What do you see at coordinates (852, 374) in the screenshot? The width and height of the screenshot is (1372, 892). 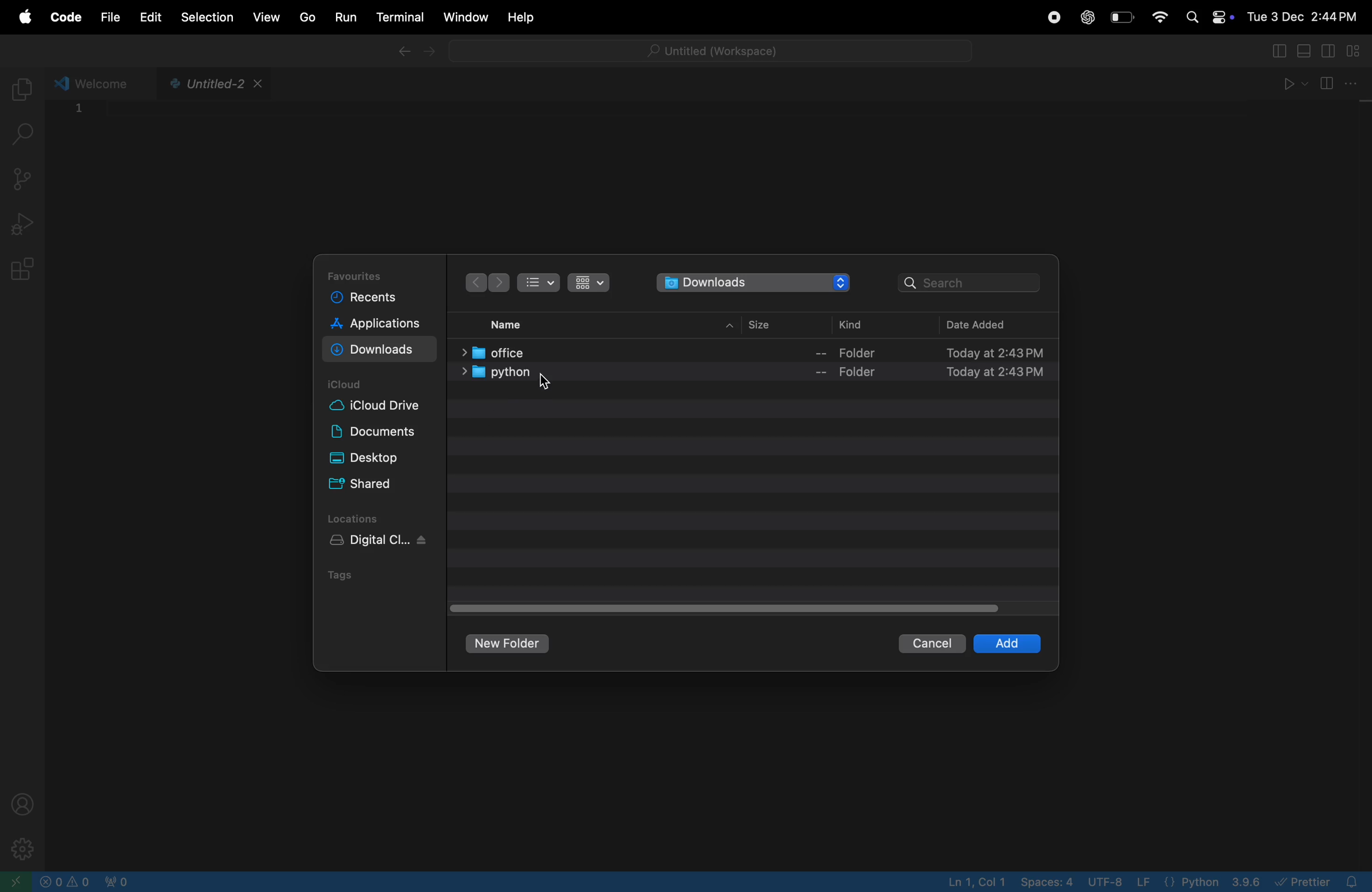 I see `folder` at bounding box center [852, 374].